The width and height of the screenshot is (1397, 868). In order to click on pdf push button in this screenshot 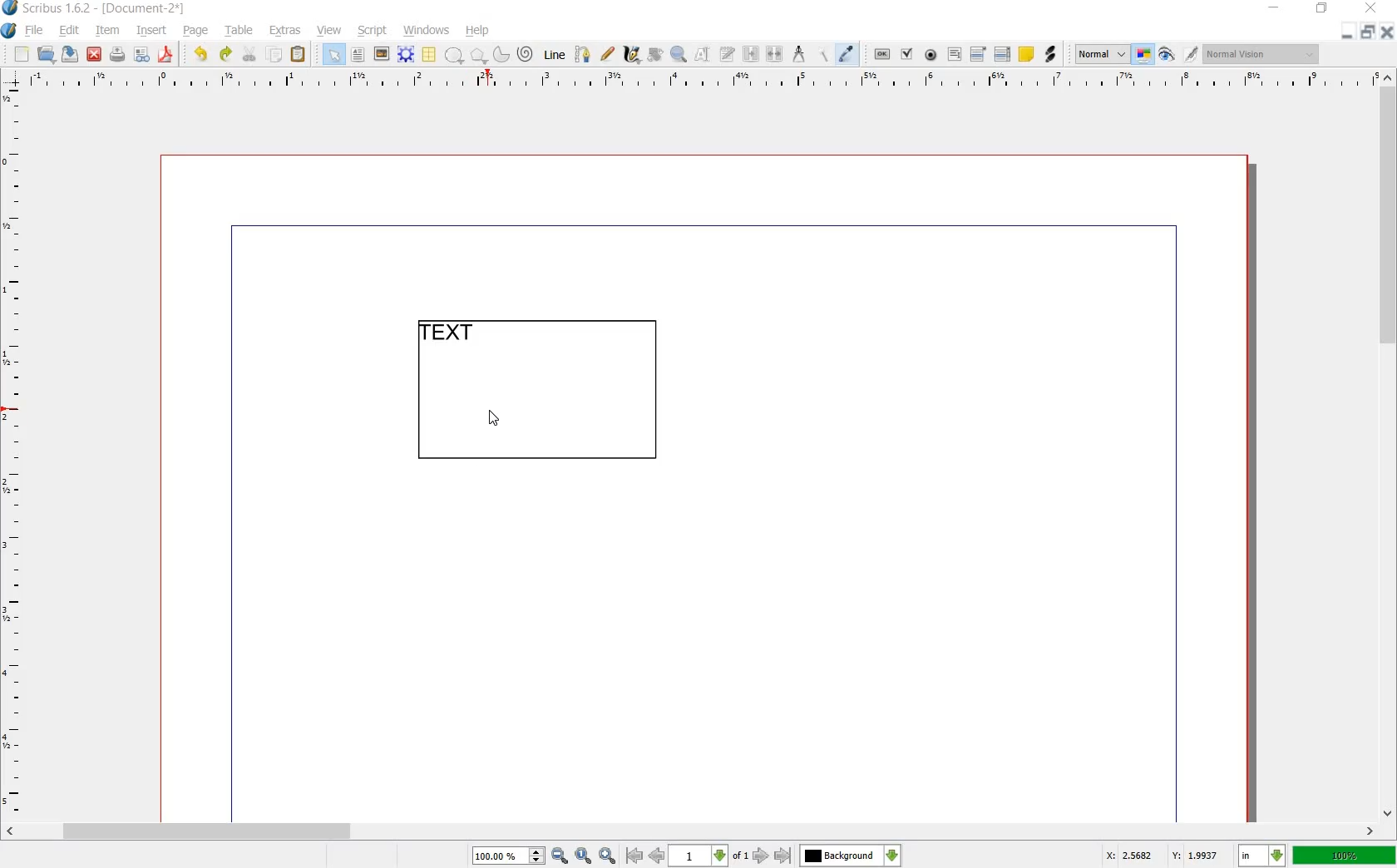, I will do `click(882, 52)`.